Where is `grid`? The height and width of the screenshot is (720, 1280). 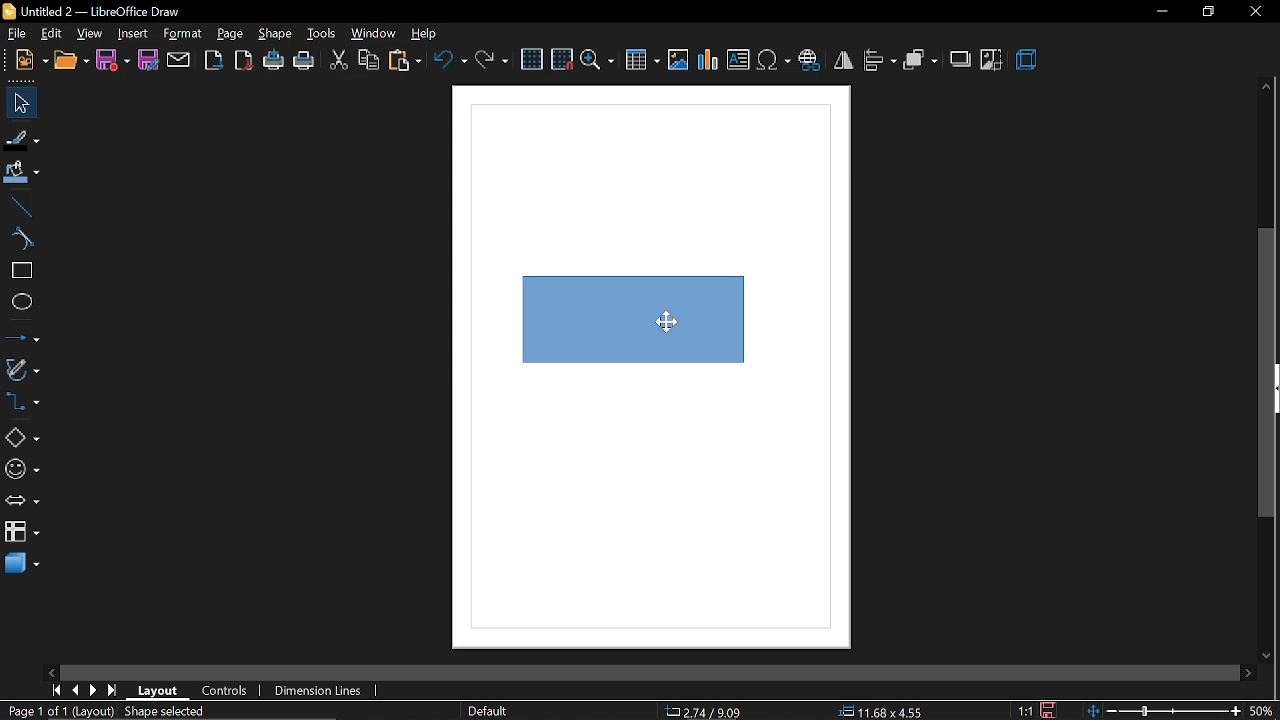 grid is located at coordinates (531, 60).